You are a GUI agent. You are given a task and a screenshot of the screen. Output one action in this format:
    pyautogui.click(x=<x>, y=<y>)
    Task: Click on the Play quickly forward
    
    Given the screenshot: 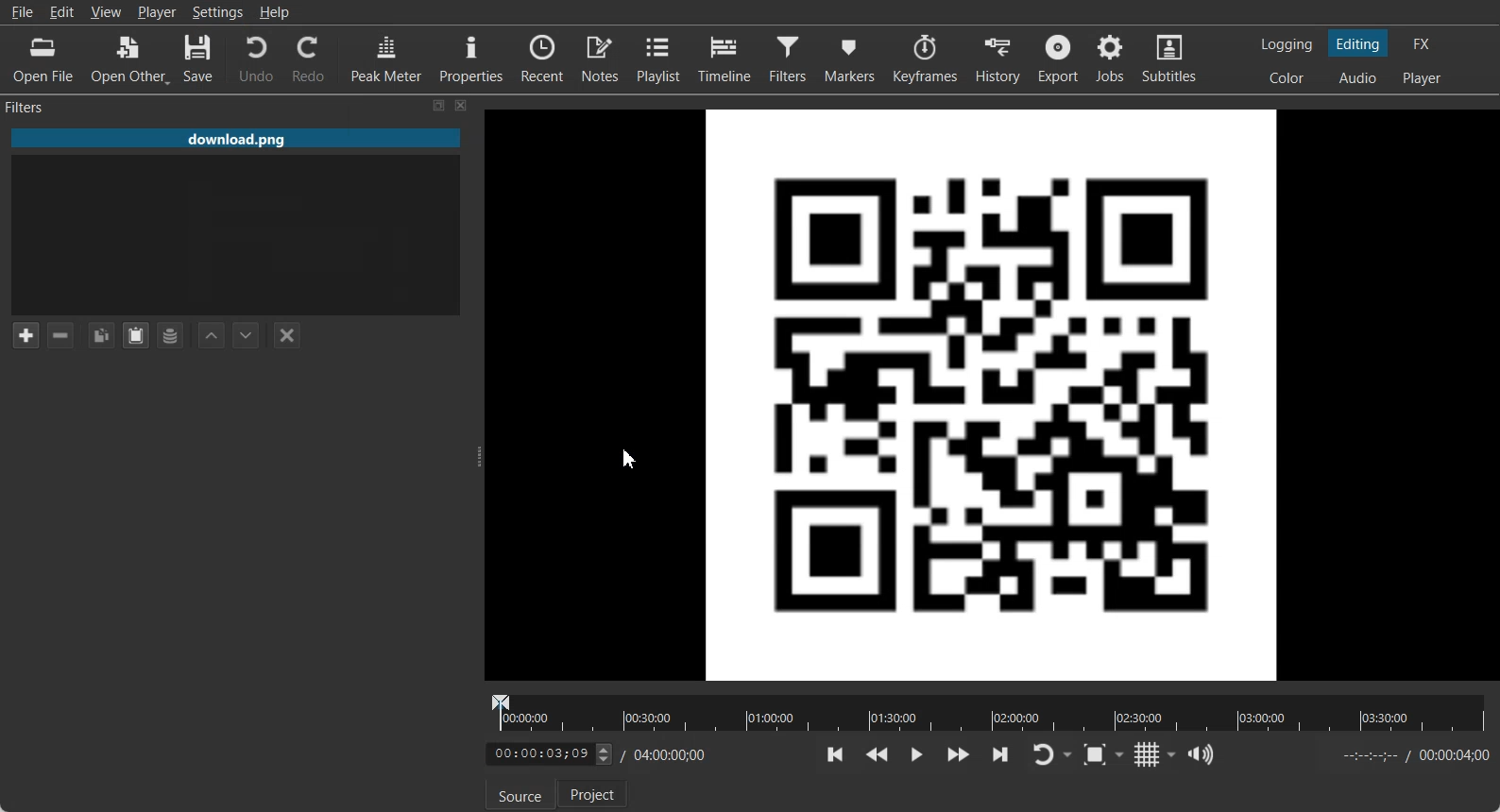 What is the action you would take?
    pyautogui.click(x=959, y=755)
    